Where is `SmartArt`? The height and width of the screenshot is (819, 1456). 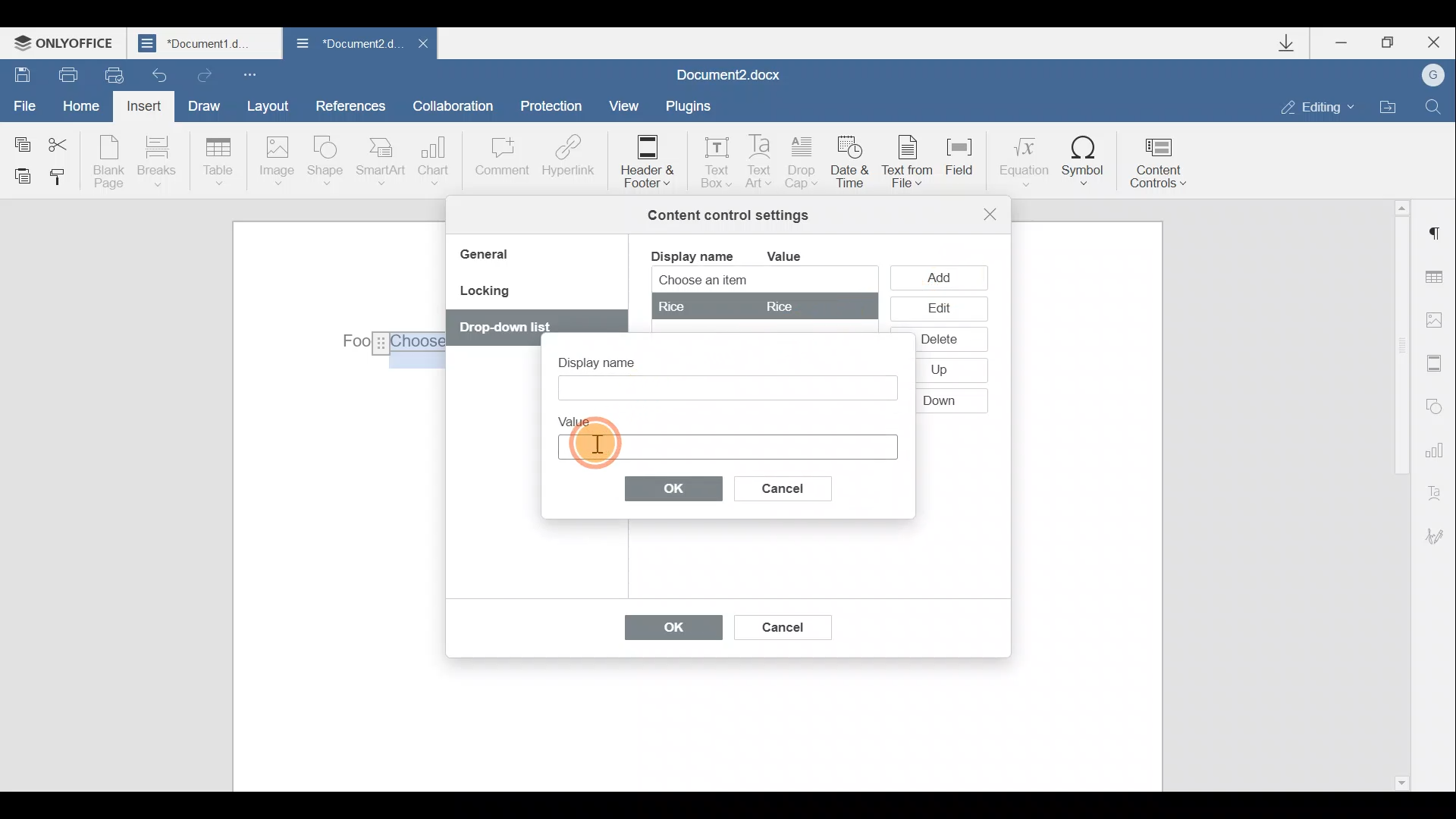 SmartArt is located at coordinates (381, 160).